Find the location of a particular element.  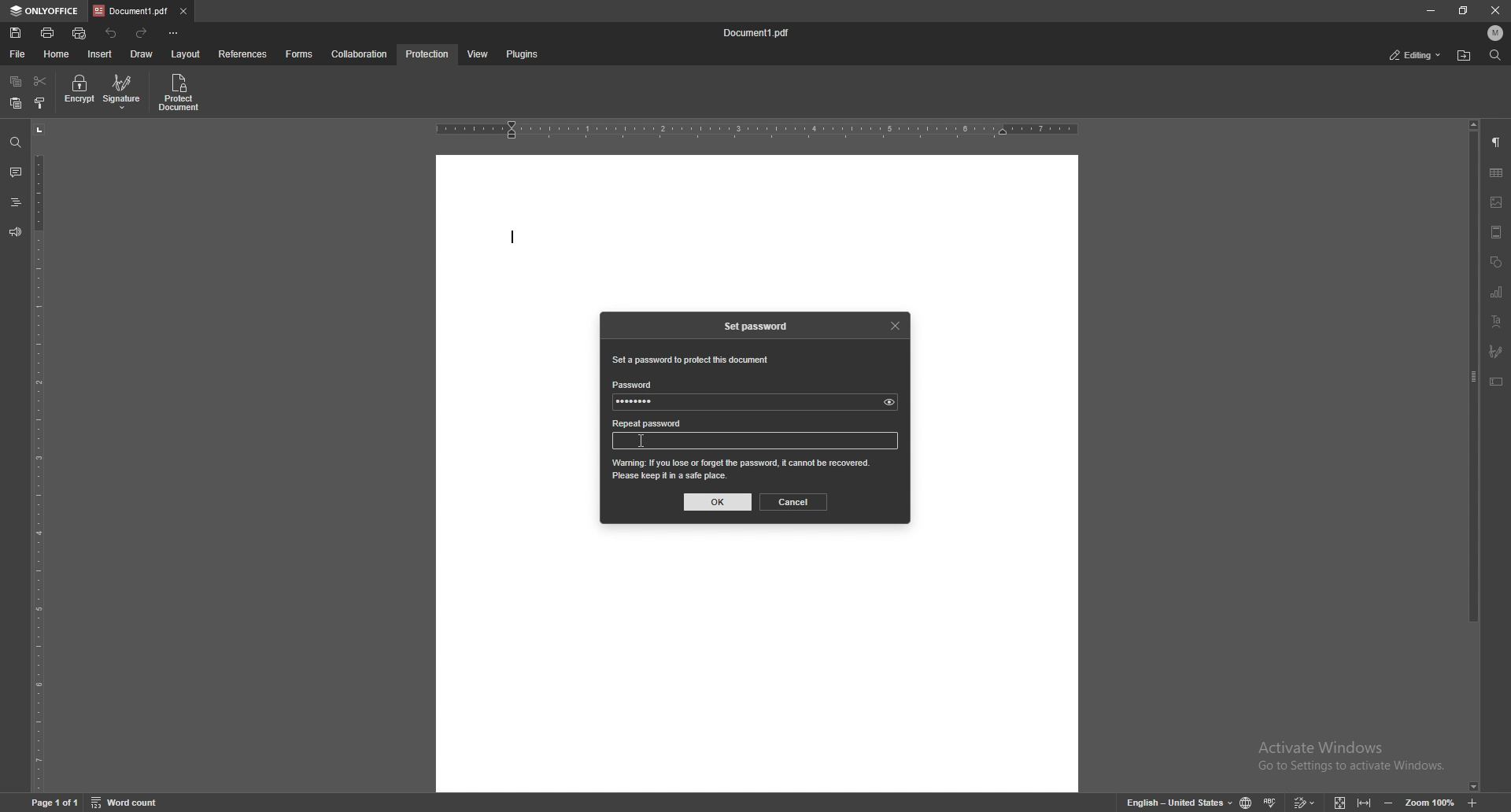

undo is located at coordinates (112, 34).